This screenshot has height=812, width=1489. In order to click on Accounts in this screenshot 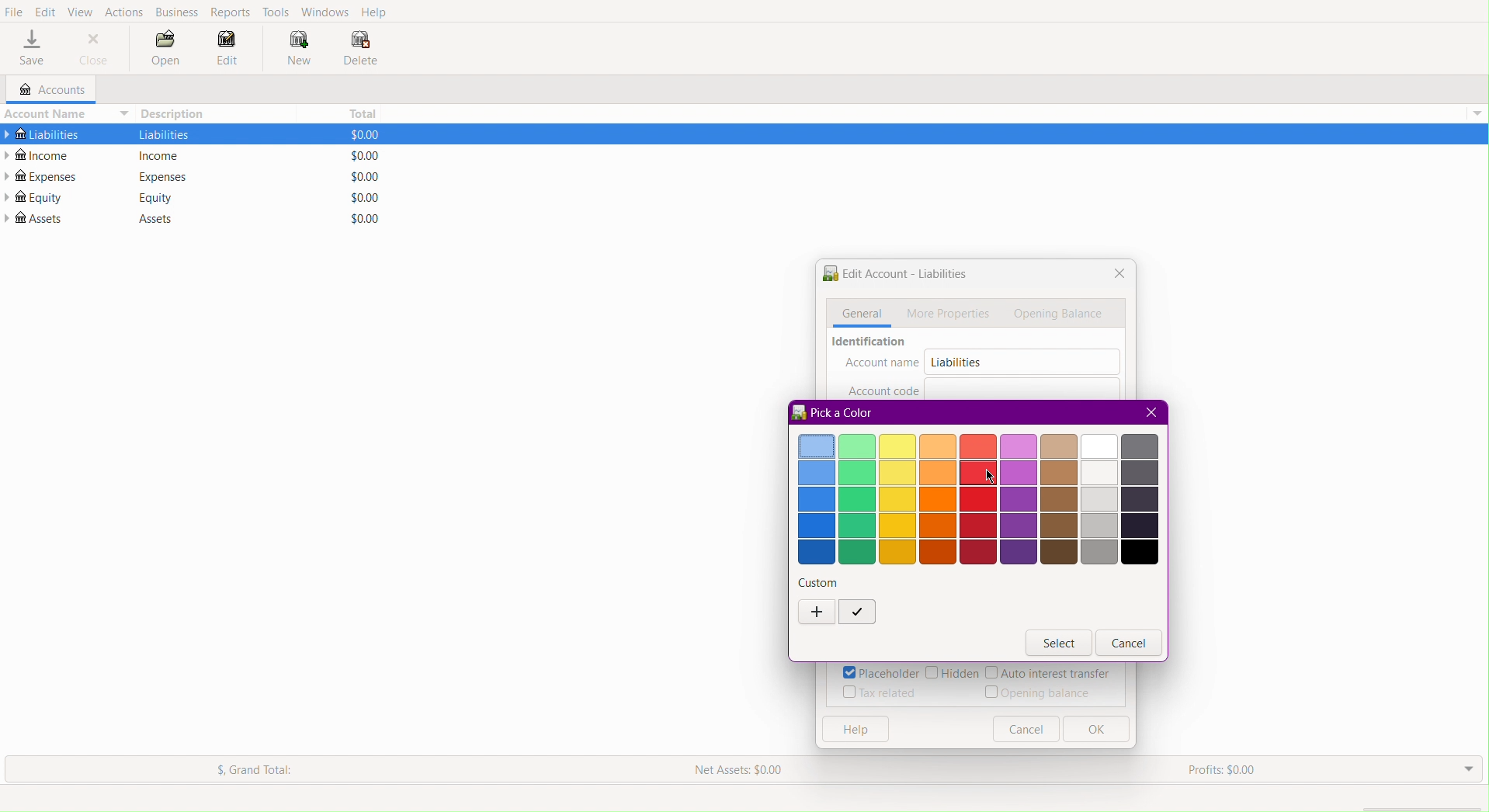, I will do `click(45, 90)`.